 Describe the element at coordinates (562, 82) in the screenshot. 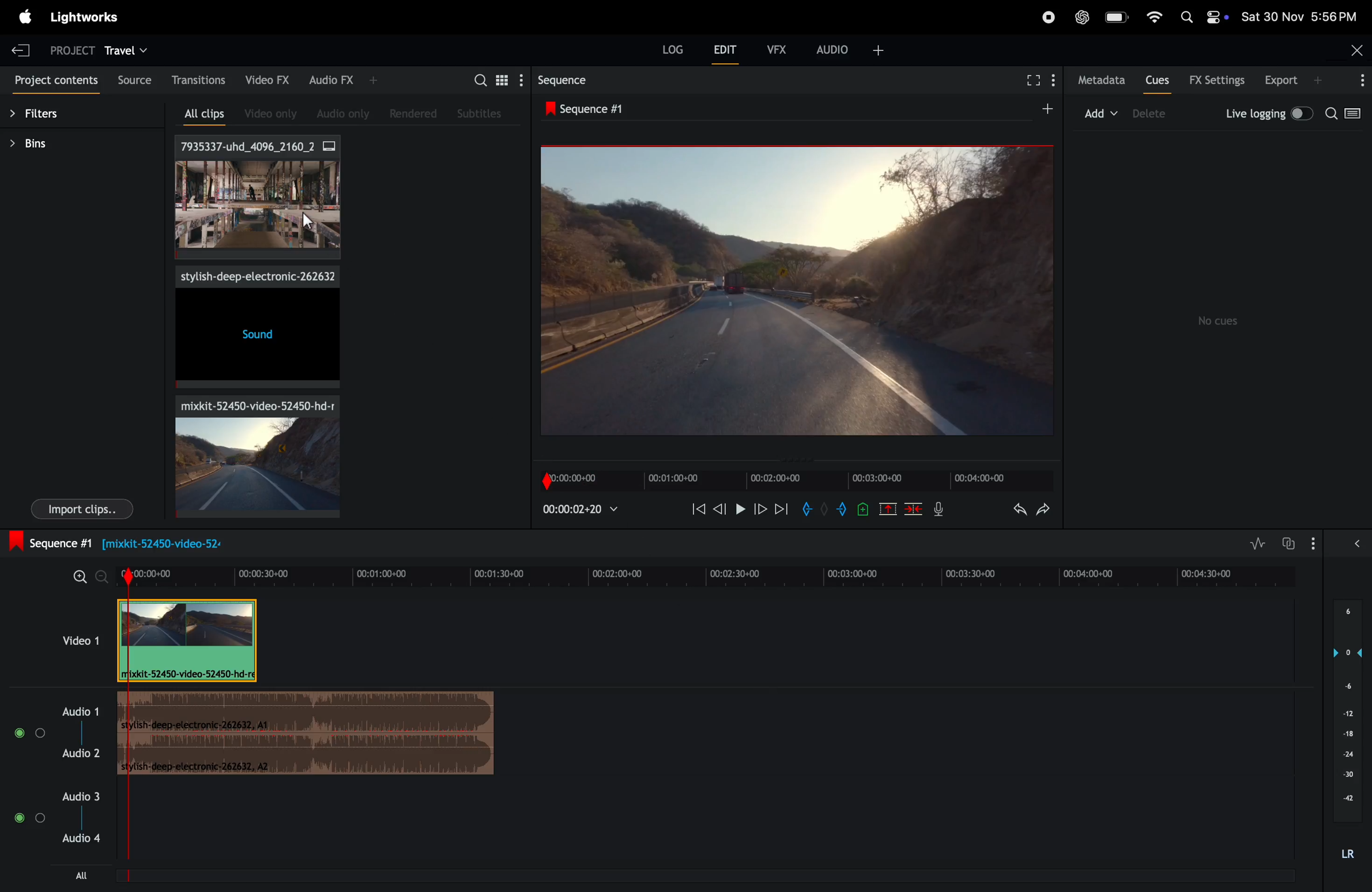

I see `sequence` at that location.